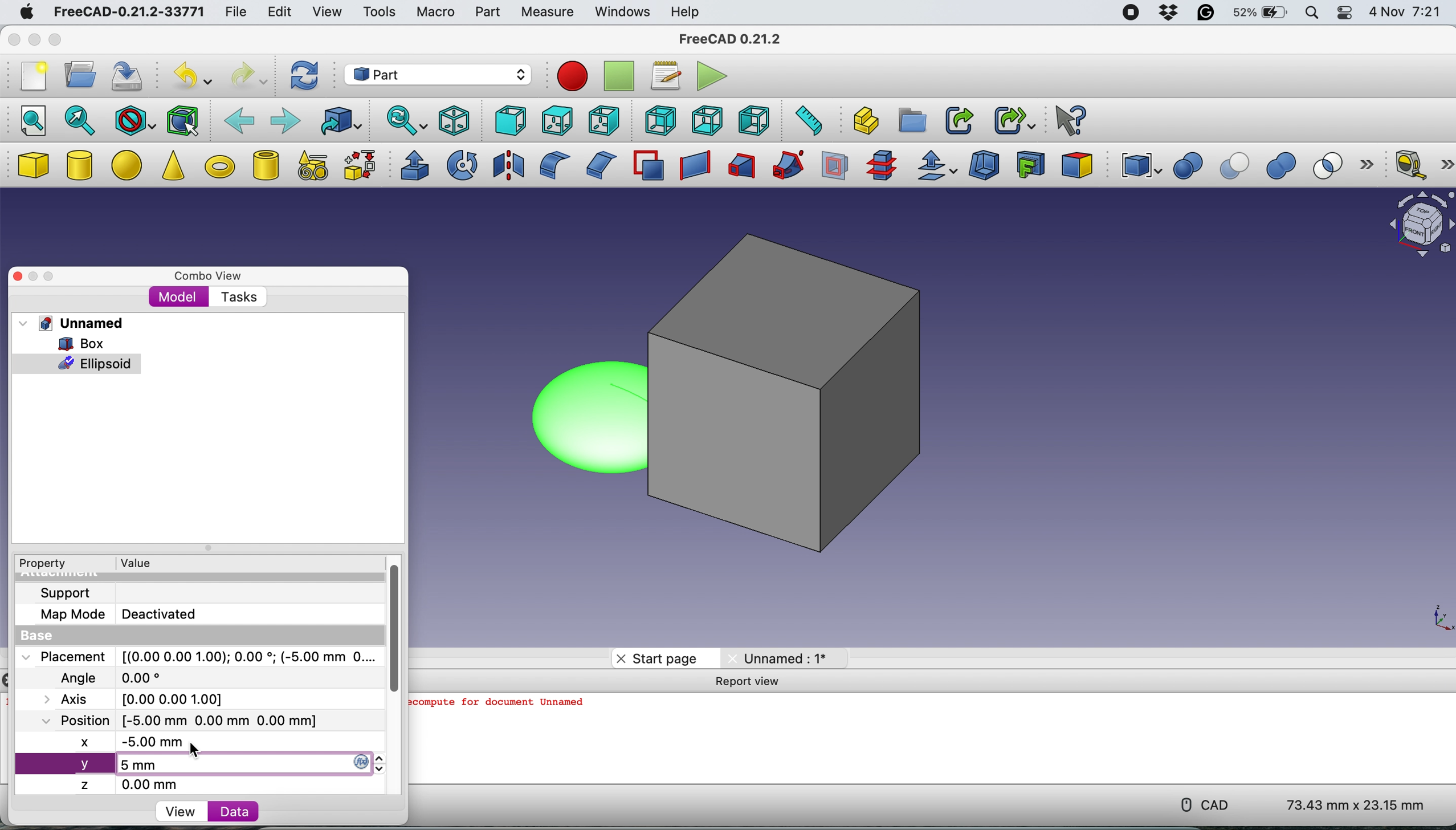 The image size is (1456, 830). Describe the element at coordinates (80, 167) in the screenshot. I see `cylinder` at that location.